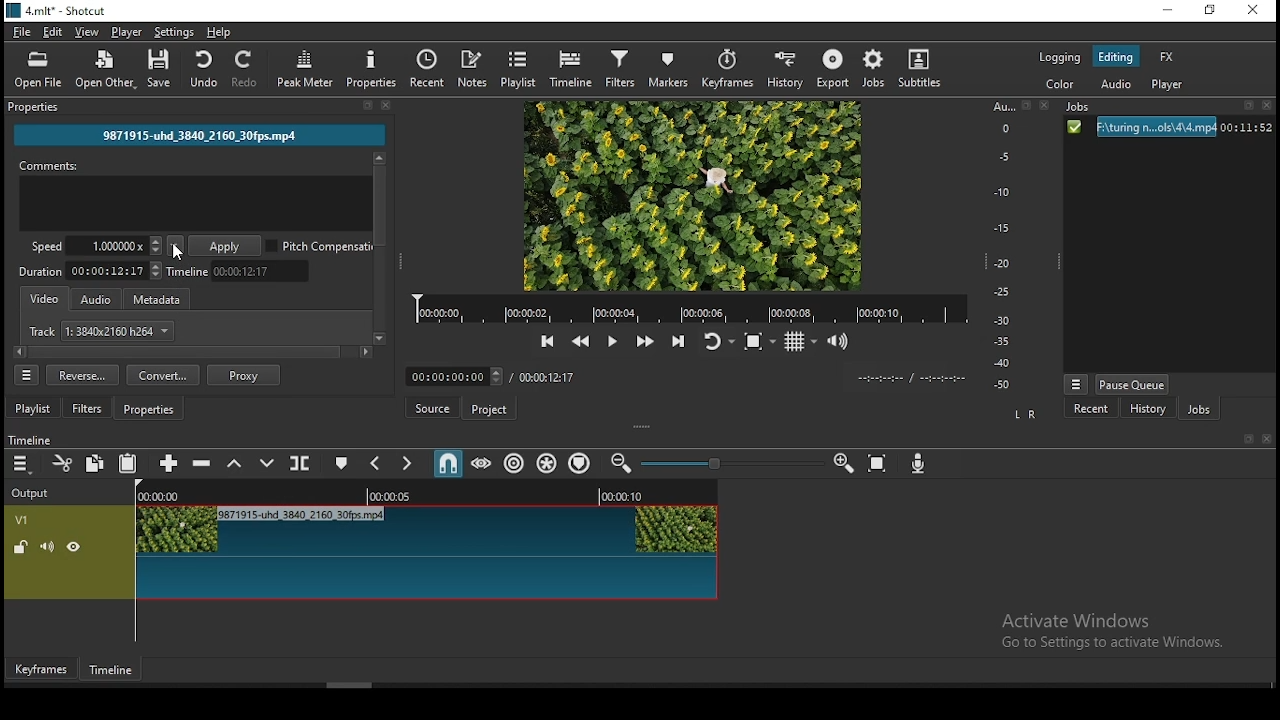 The height and width of the screenshot is (720, 1280). I want to click on zoom timeline out, so click(624, 463).